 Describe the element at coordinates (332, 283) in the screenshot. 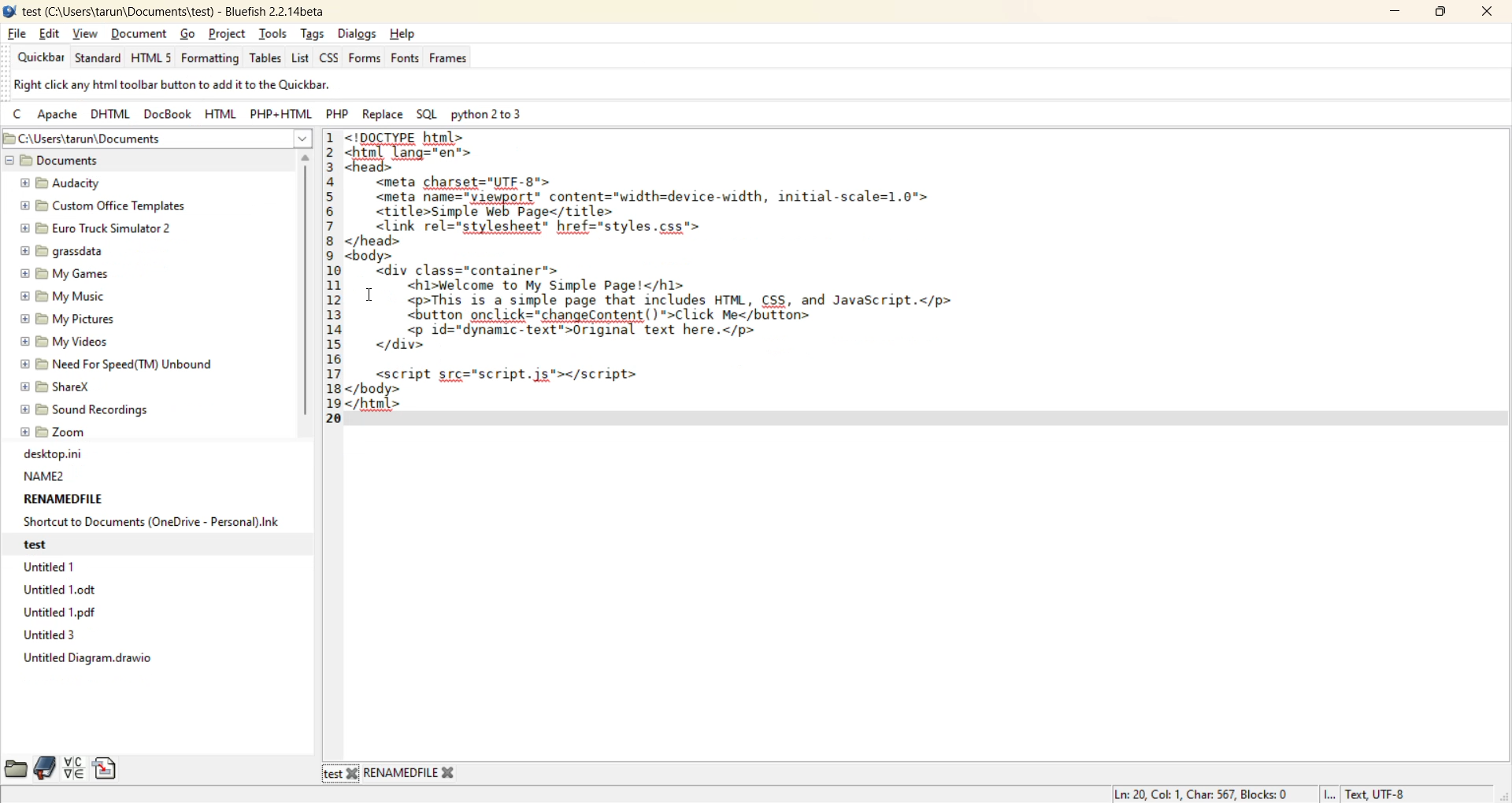

I see `line number` at that location.